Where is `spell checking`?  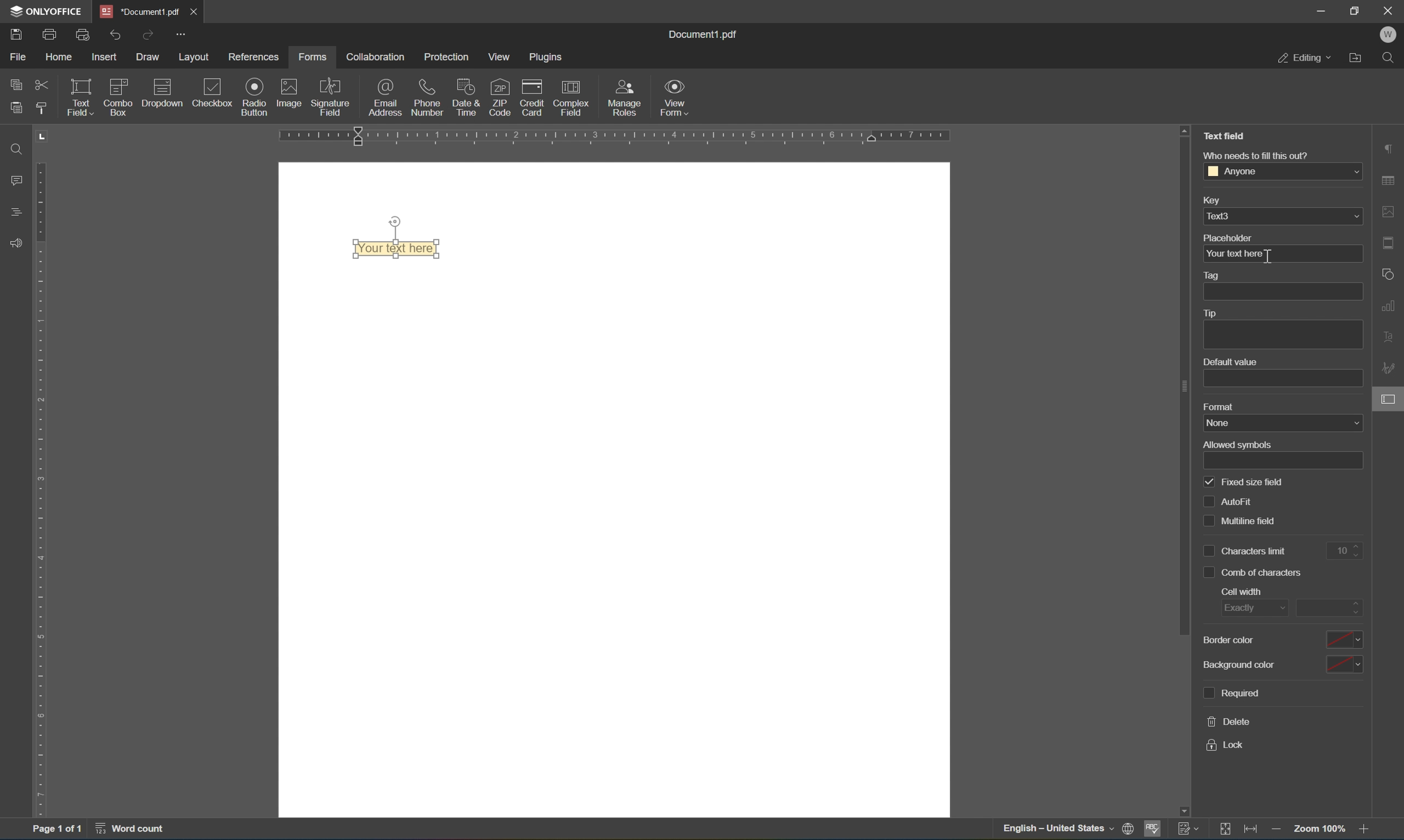 spell checking is located at coordinates (1154, 830).